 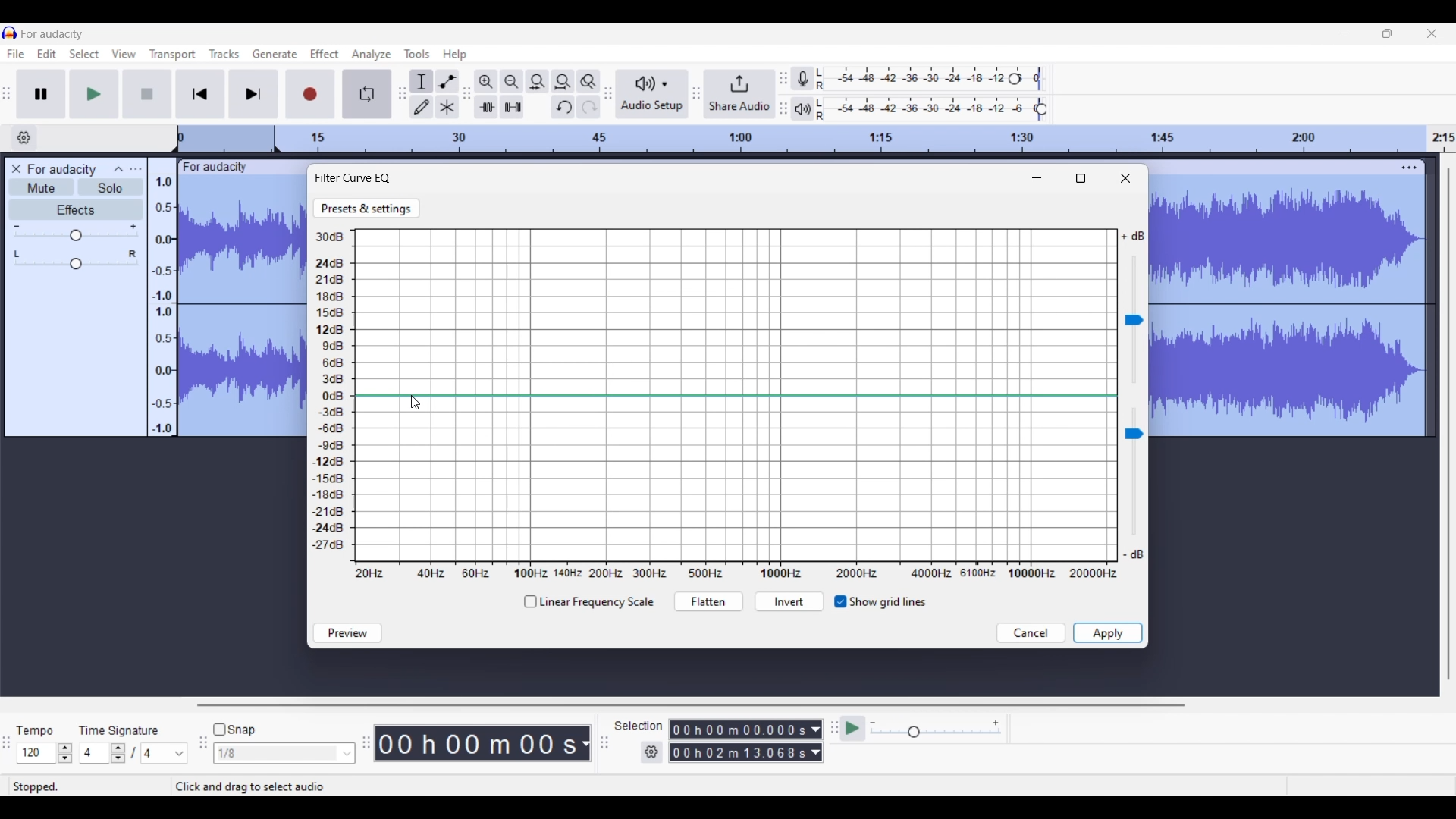 What do you see at coordinates (371, 55) in the screenshot?
I see `Analyze menu` at bounding box center [371, 55].